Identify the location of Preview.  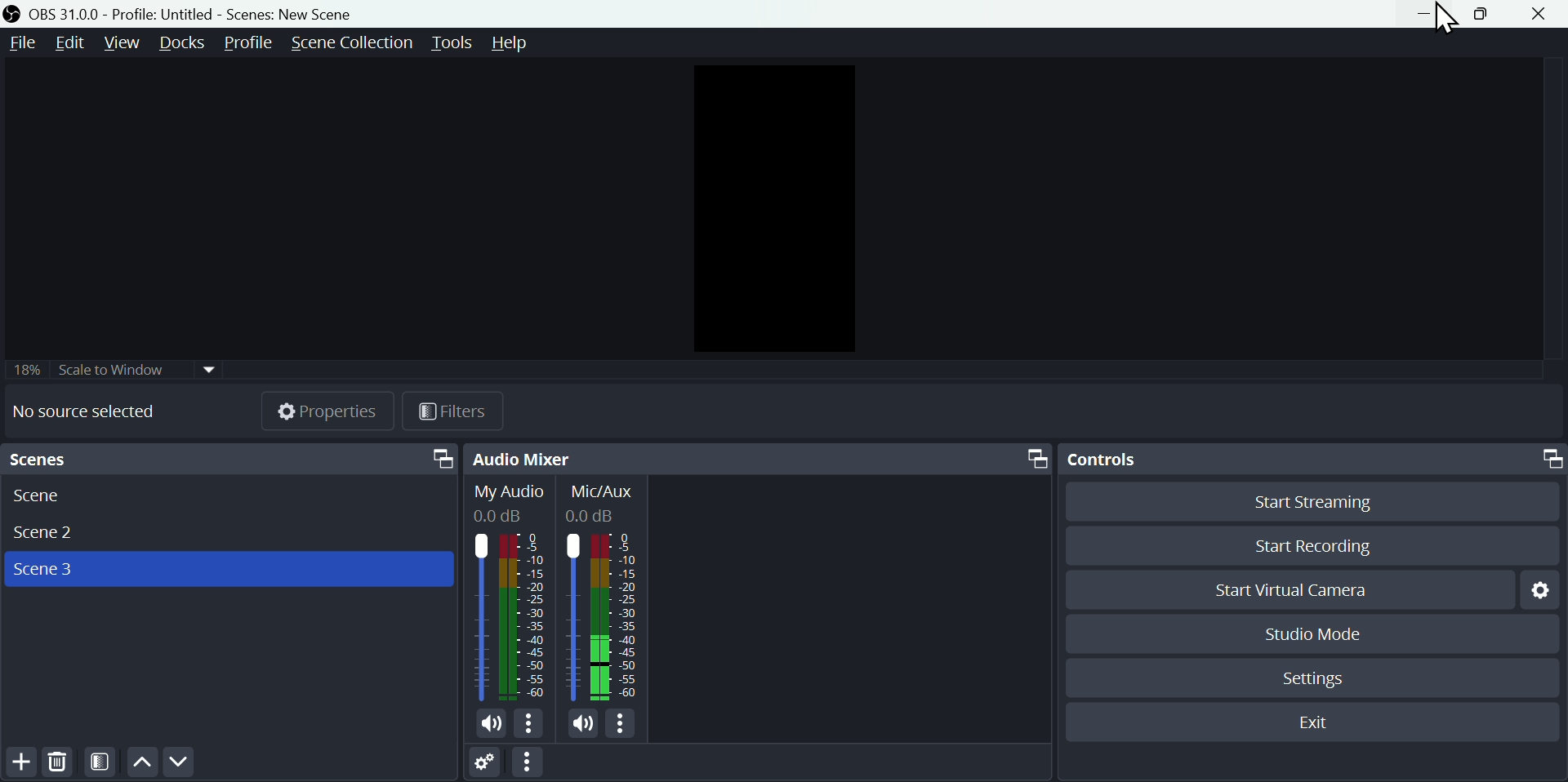
(772, 210).